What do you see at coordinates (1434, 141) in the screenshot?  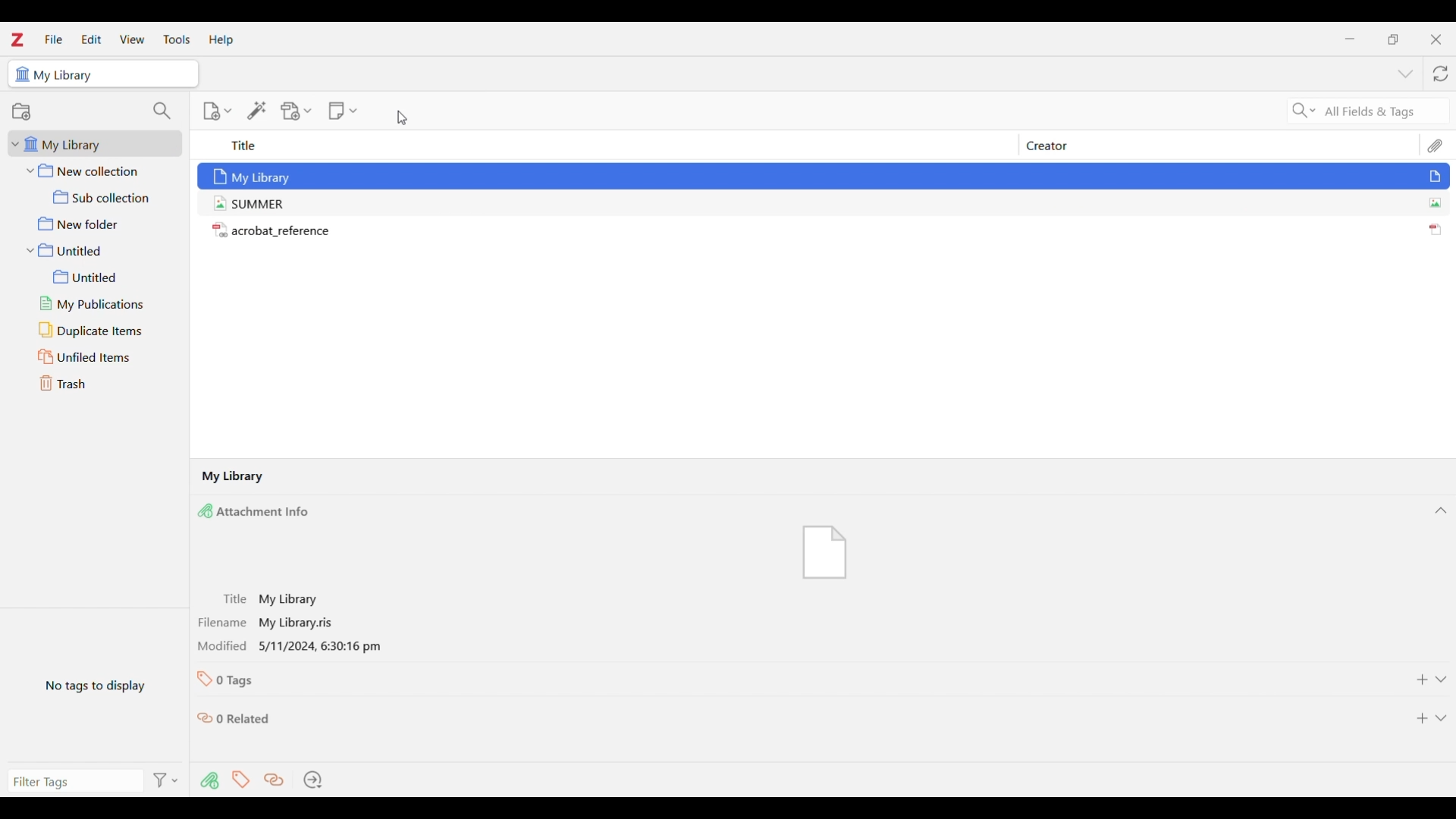 I see `Attach` at bounding box center [1434, 141].